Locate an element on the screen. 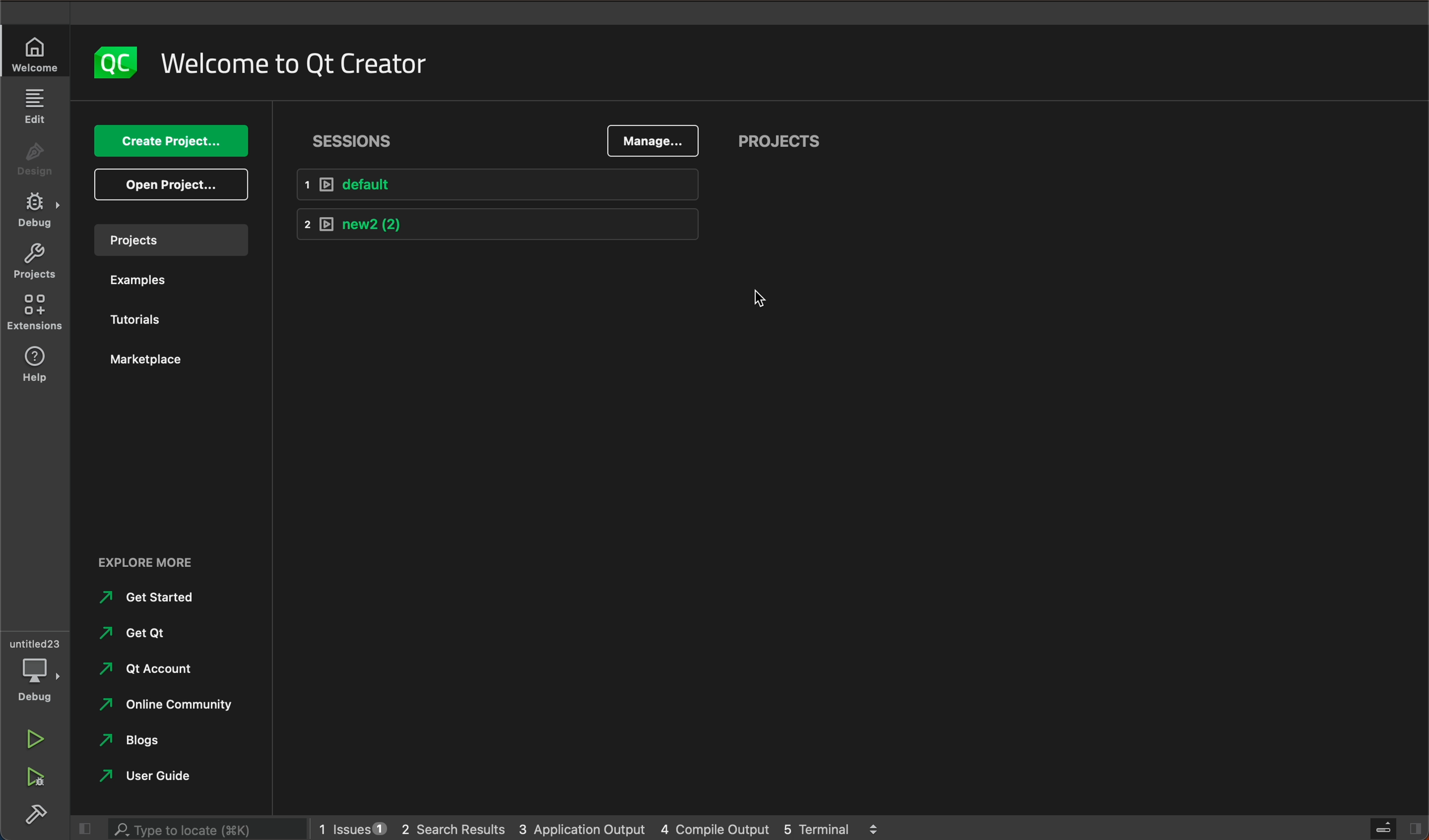 This screenshot has width=1429, height=840. build is located at coordinates (38, 812).